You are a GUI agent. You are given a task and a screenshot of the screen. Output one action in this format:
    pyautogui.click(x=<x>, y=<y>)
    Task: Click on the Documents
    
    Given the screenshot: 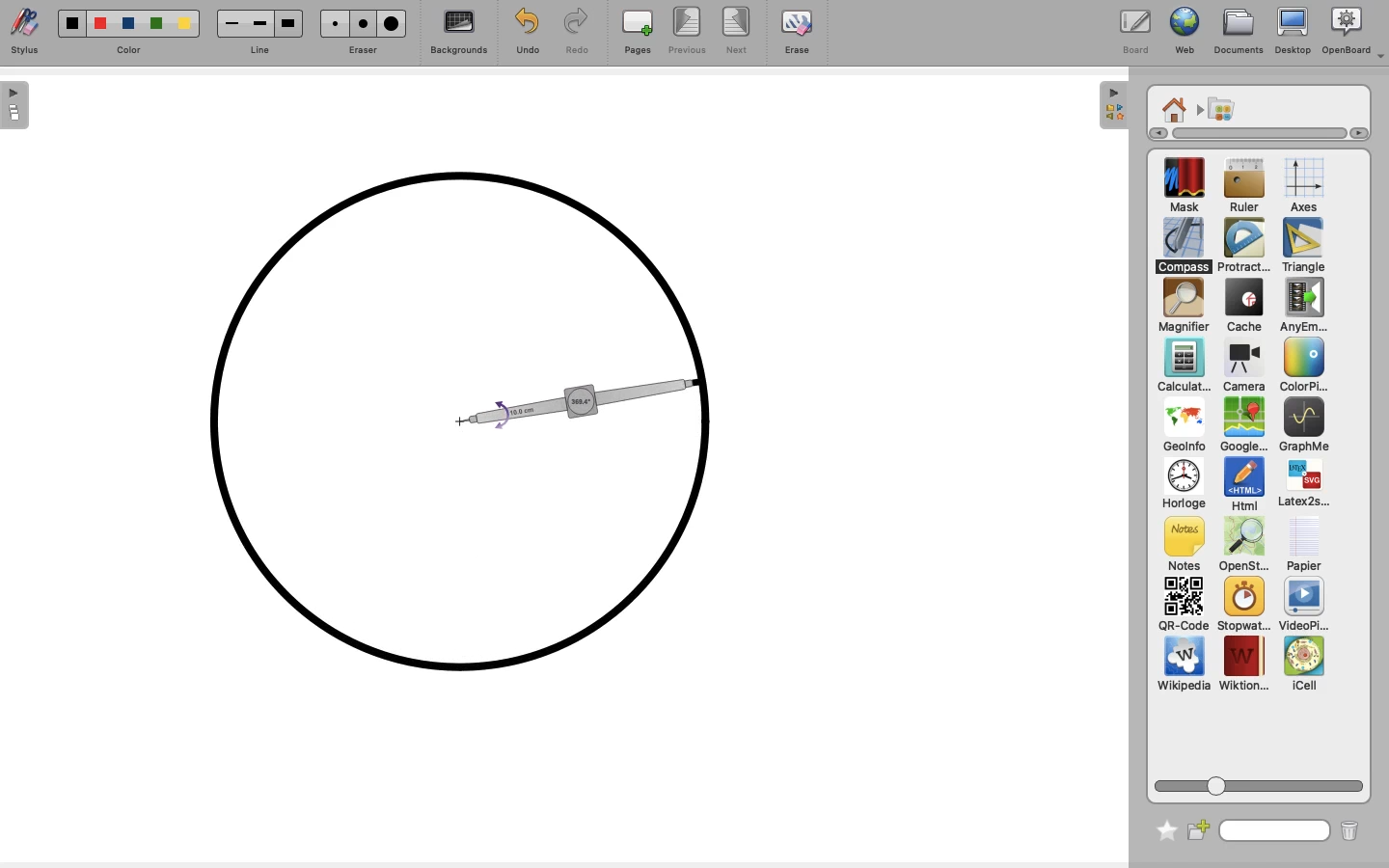 What is the action you would take?
    pyautogui.click(x=1239, y=32)
    